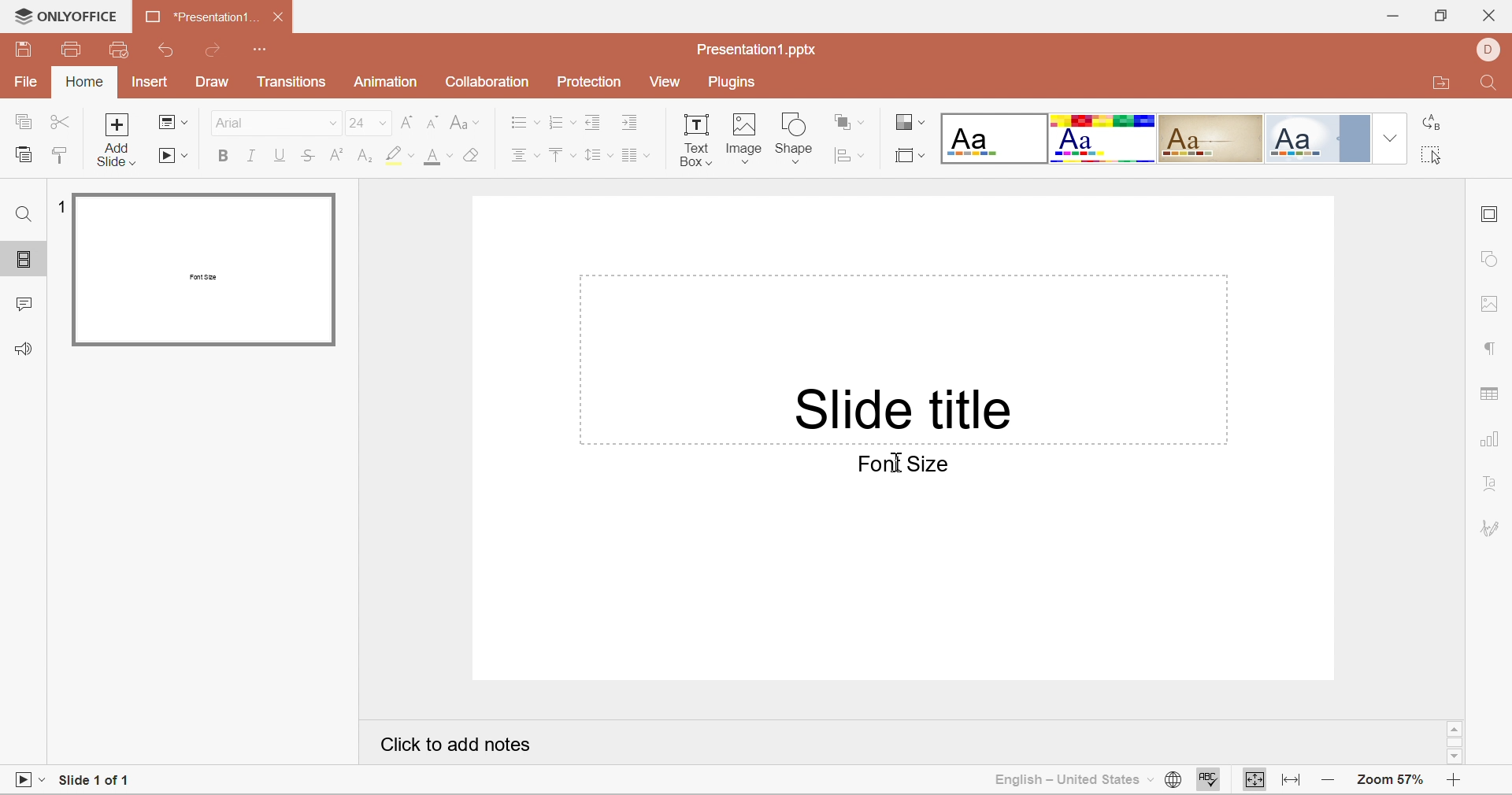  What do you see at coordinates (363, 157) in the screenshot?
I see `Subscript` at bounding box center [363, 157].